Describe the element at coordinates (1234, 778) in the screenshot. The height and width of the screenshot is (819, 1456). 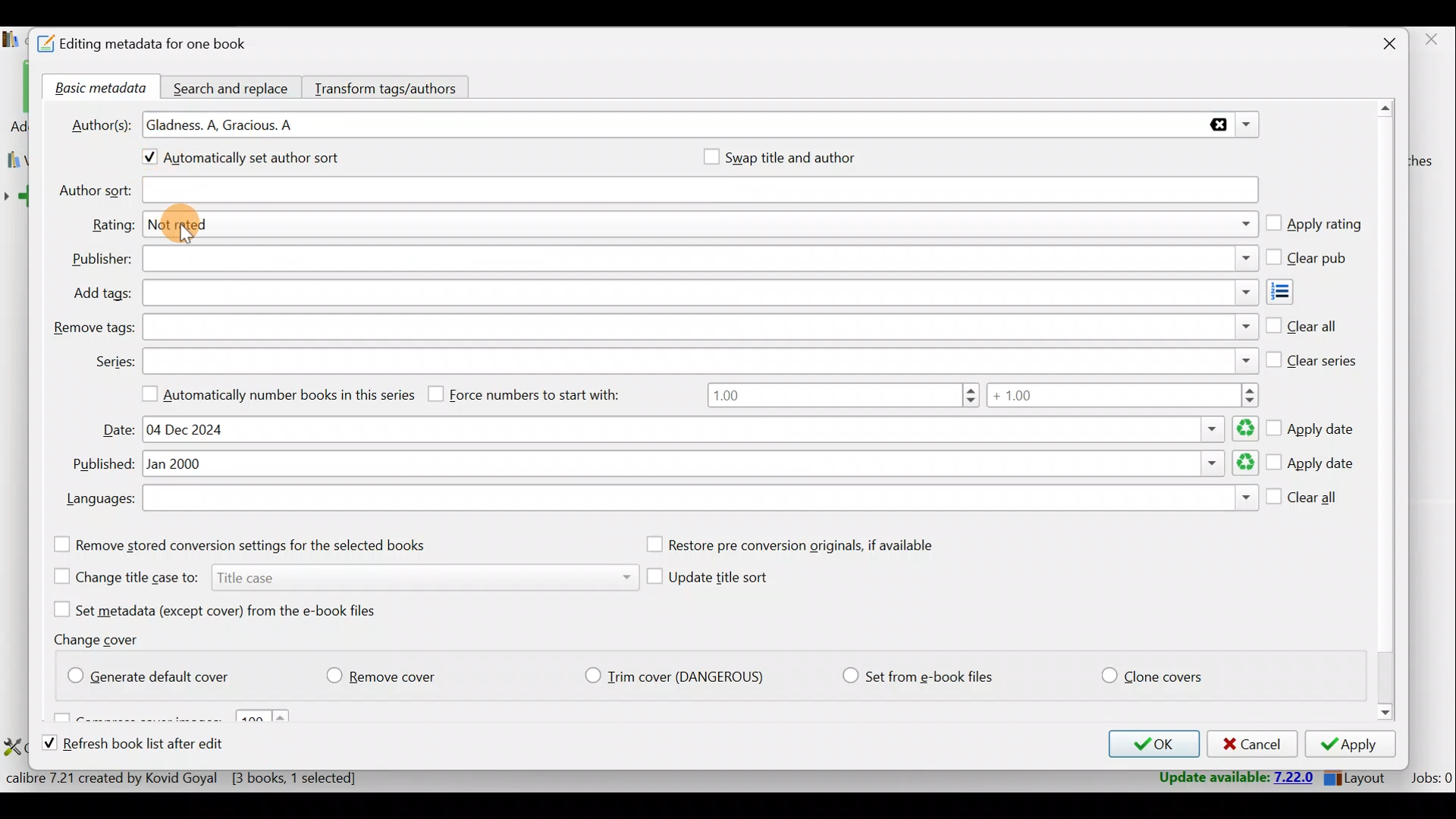
I see `Update` at that location.